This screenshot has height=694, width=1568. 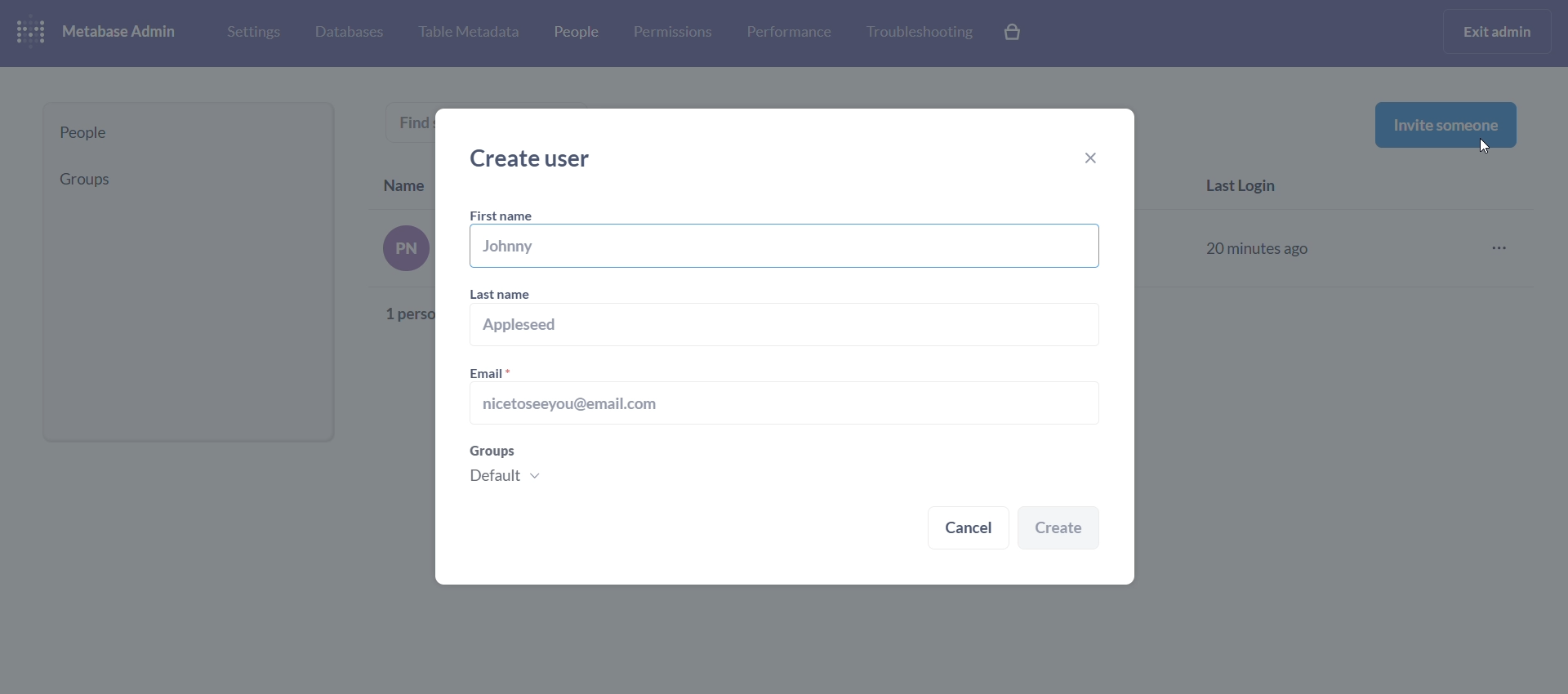 What do you see at coordinates (126, 33) in the screenshot?
I see `metabase admin` at bounding box center [126, 33].